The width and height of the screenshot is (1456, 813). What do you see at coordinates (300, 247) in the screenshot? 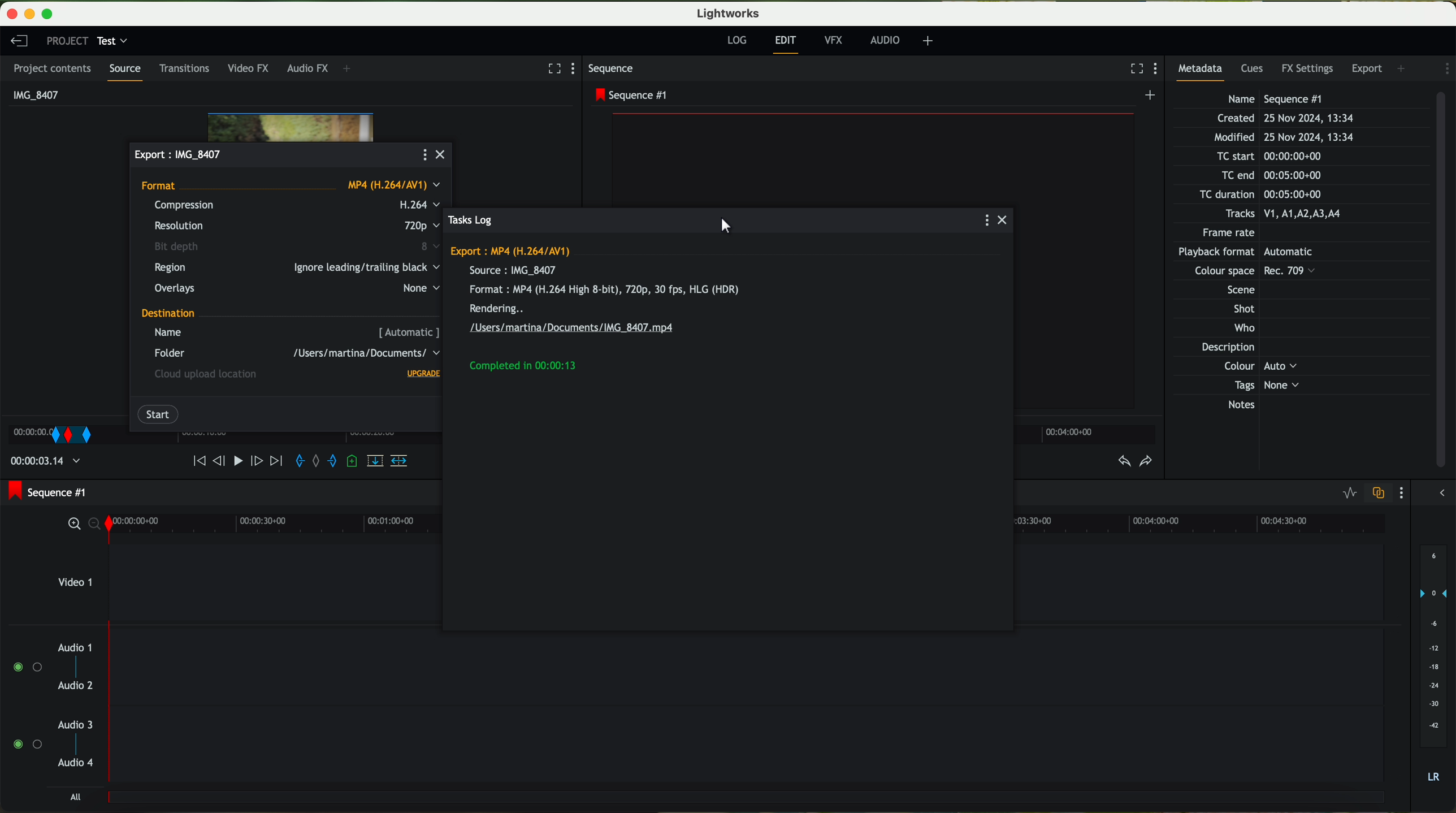
I see `bit depth` at bounding box center [300, 247].